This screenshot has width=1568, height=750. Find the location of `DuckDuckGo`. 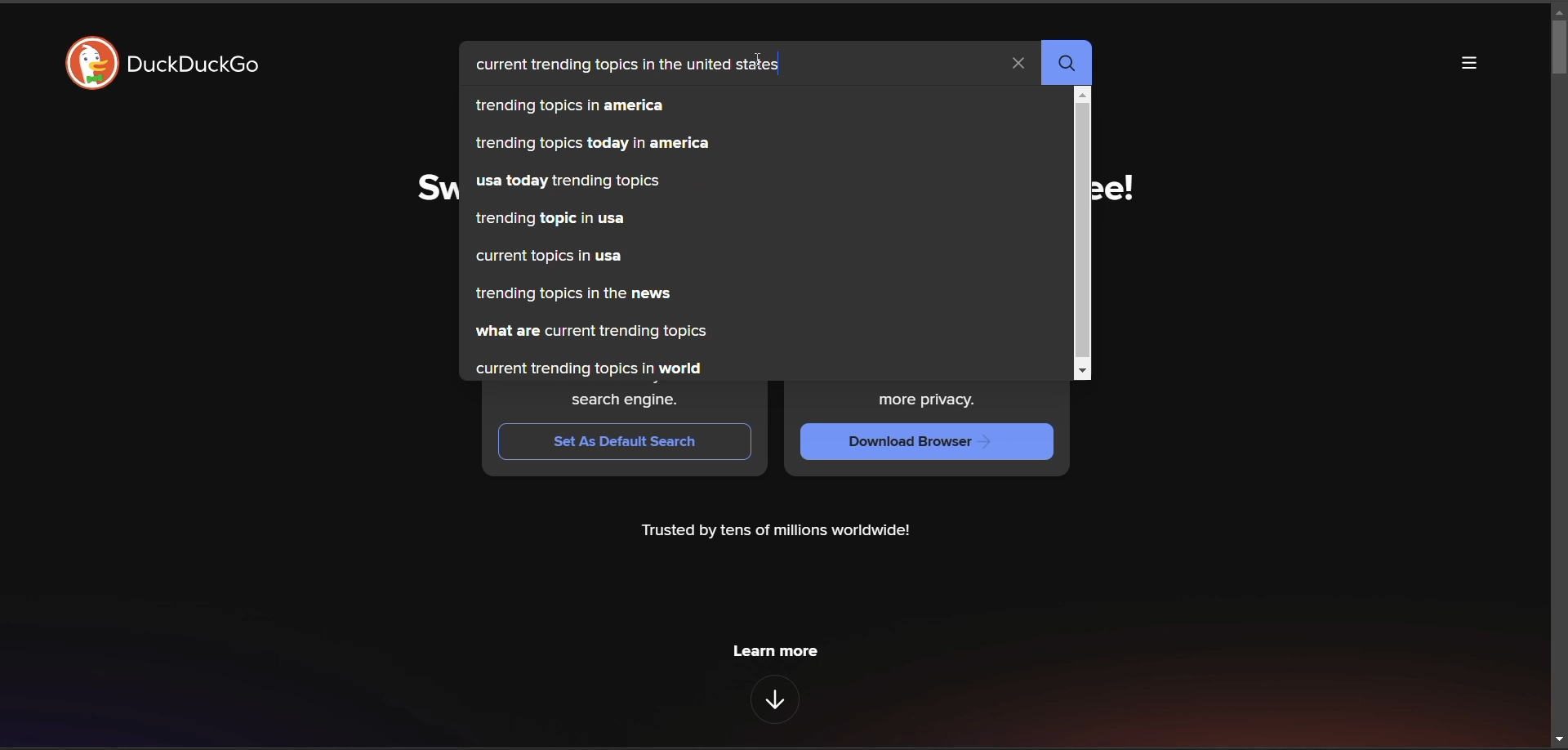

DuckDuckGo is located at coordinates (88, 65).